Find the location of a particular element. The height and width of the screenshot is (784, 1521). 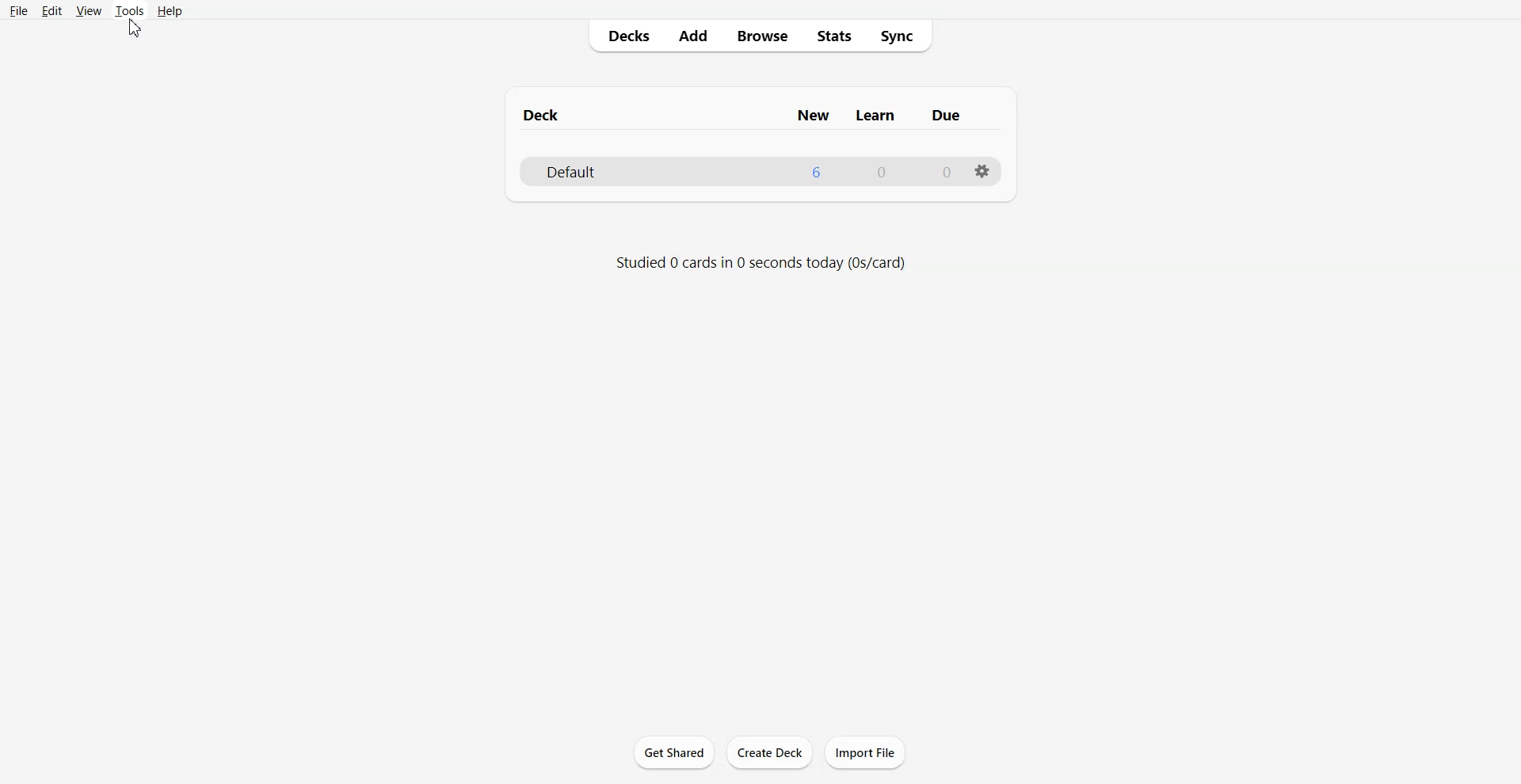

Create Deck is located at coordinates (769, 752).